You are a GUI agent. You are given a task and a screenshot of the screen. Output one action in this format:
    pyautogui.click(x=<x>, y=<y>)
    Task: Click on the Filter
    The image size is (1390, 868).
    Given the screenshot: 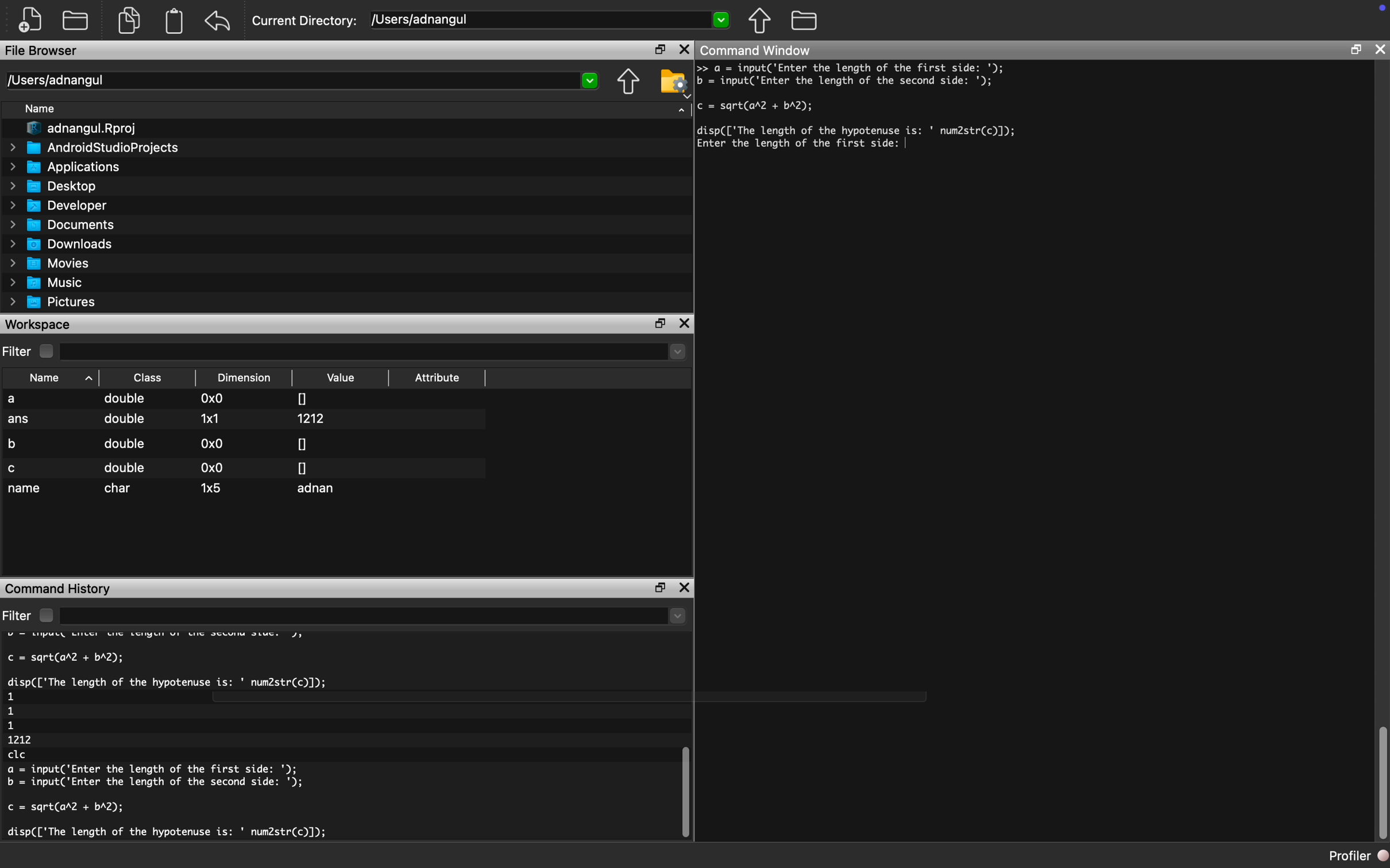 What is the action you would take?
    pyautogui.click(x=18, y=352)
    